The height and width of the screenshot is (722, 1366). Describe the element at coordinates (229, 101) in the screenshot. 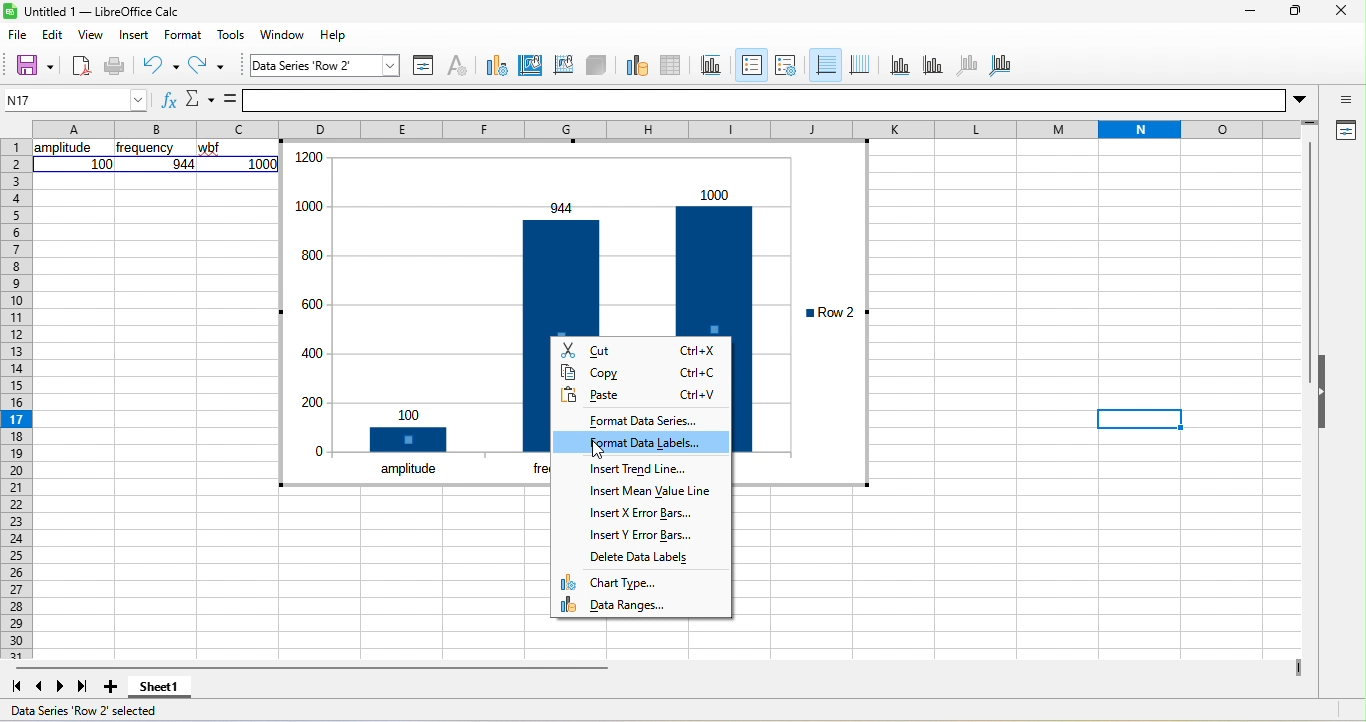

I see `formula` at that location.